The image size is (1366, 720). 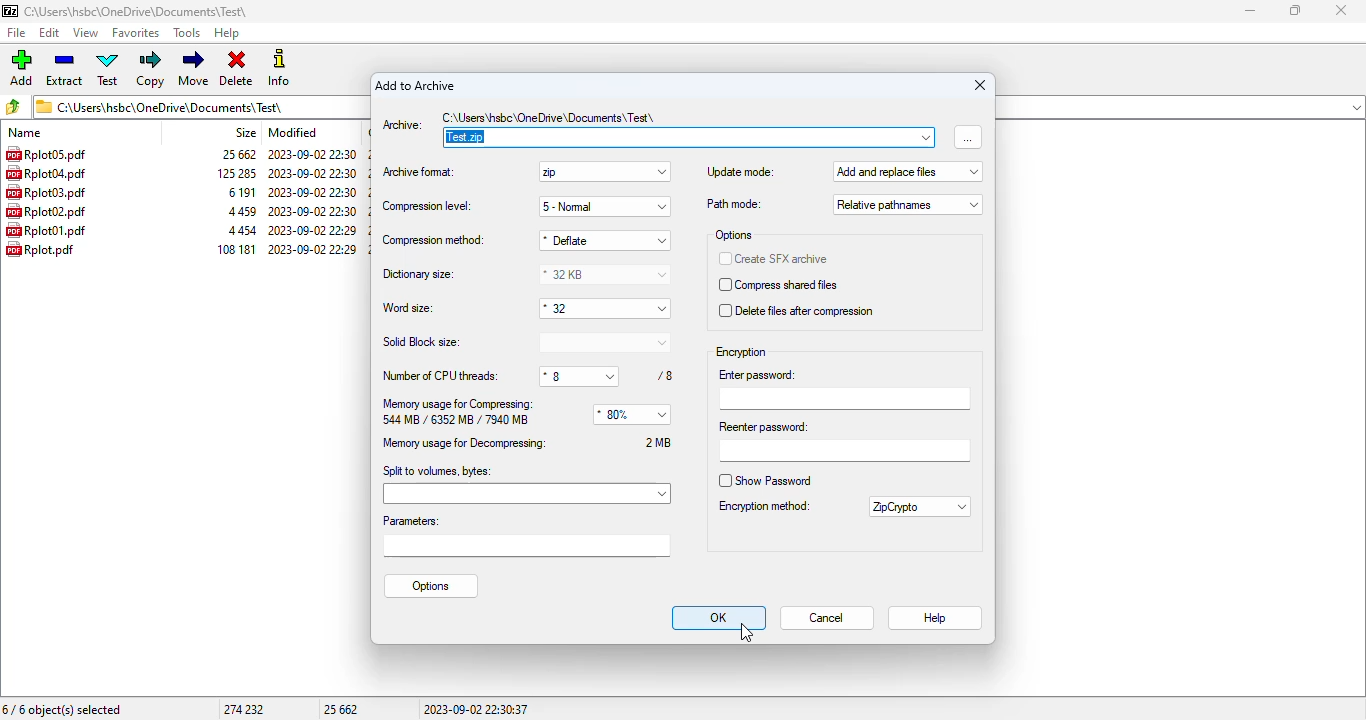 I want to click on 274 232, so click(x=243, y=709).